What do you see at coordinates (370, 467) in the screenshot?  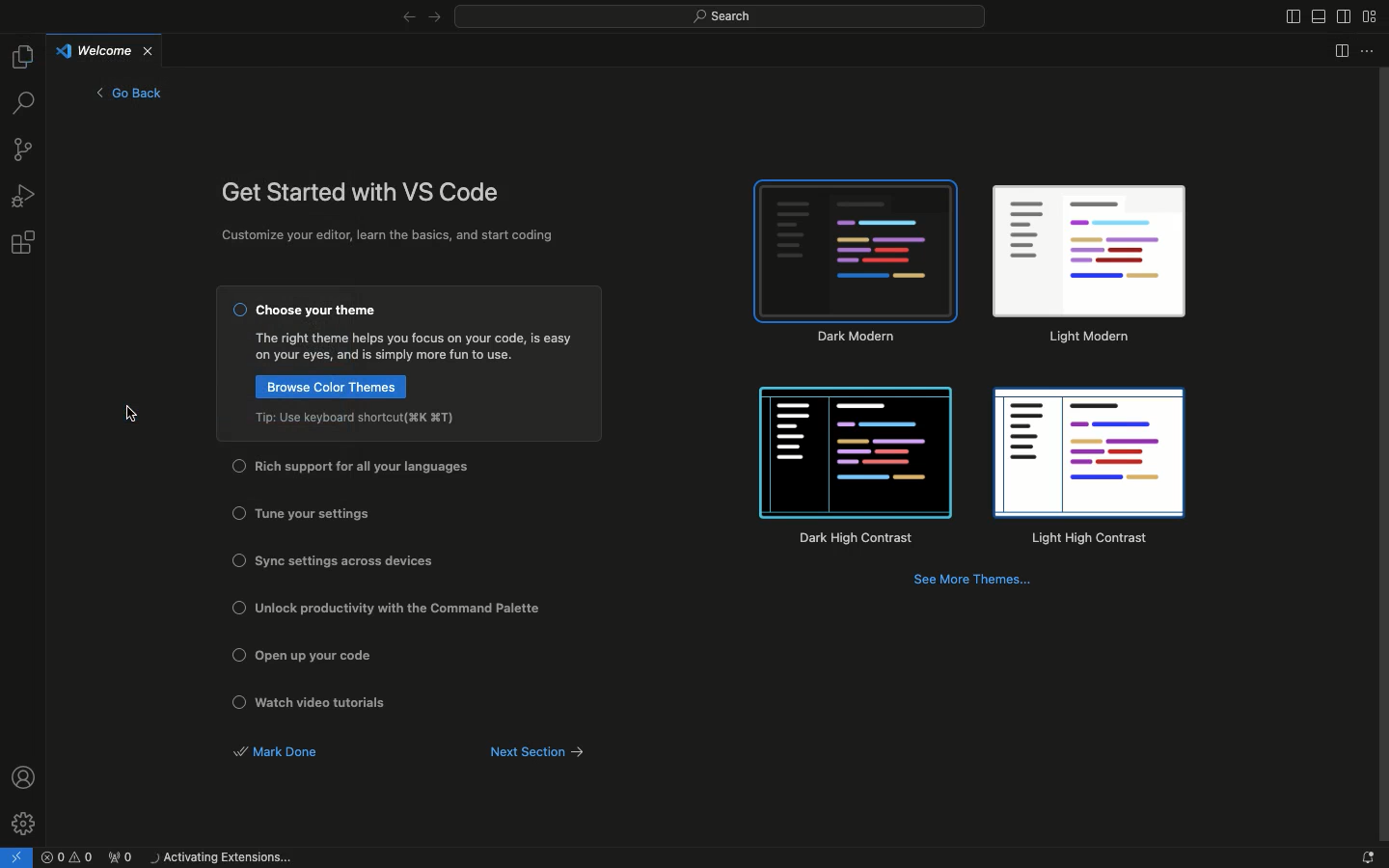 I see `Rich support for all your languages` at bounding box center [370, 467].